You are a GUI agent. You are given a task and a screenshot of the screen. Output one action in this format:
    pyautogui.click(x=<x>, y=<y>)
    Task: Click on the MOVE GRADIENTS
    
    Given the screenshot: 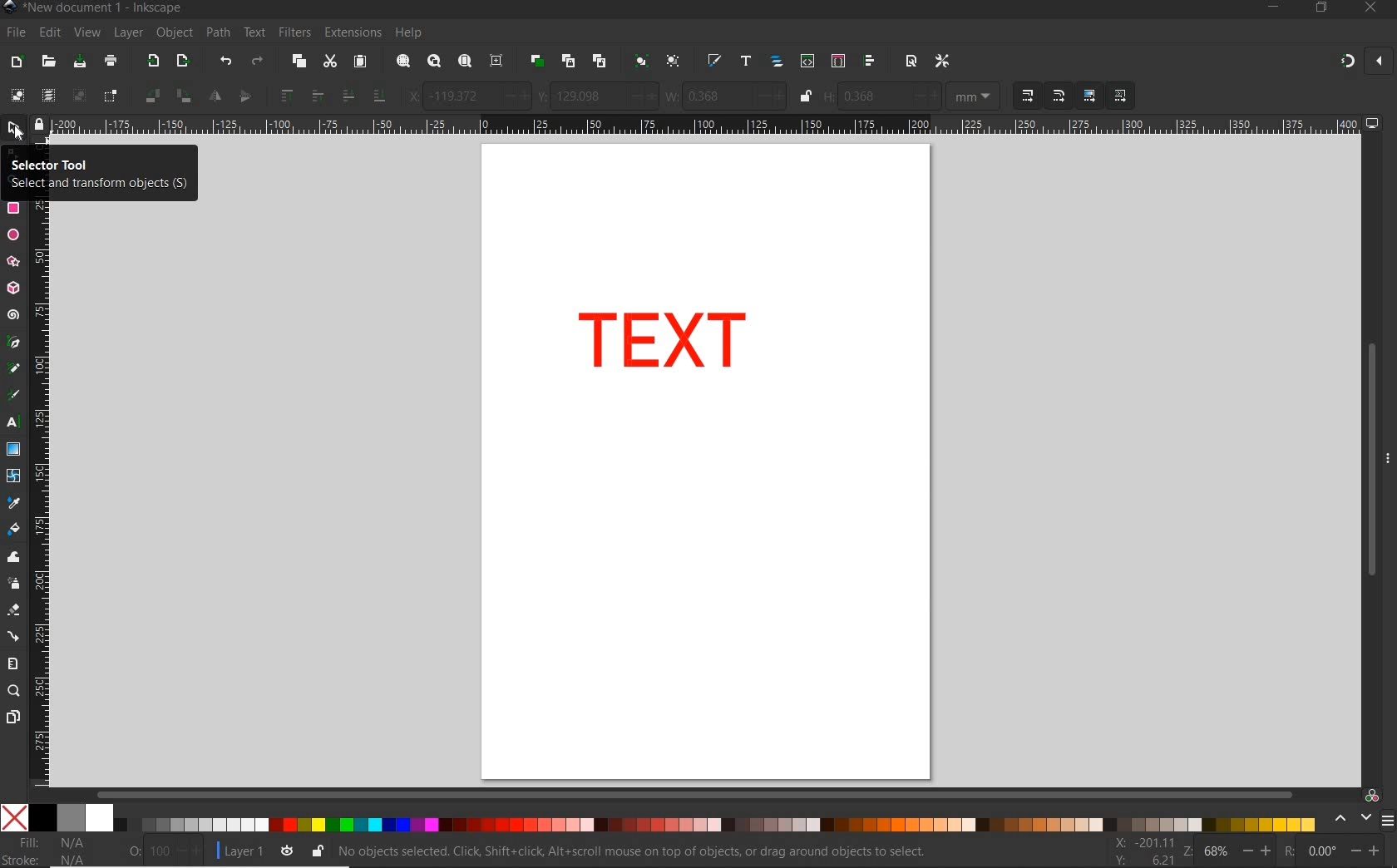 What is the action you would take?
    pyautogui.click(x=1089, y=96)
    